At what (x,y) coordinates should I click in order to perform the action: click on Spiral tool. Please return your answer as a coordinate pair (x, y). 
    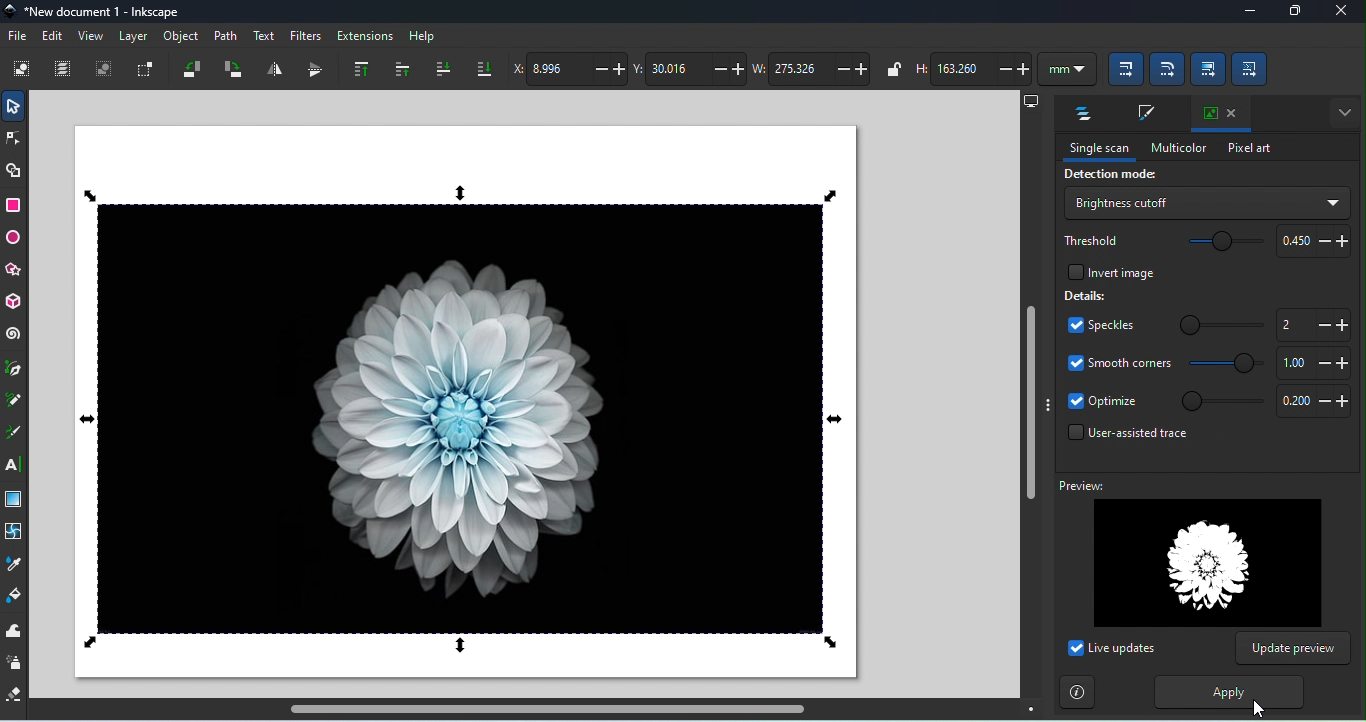
    Looking at the image, I should click on (13, 336).